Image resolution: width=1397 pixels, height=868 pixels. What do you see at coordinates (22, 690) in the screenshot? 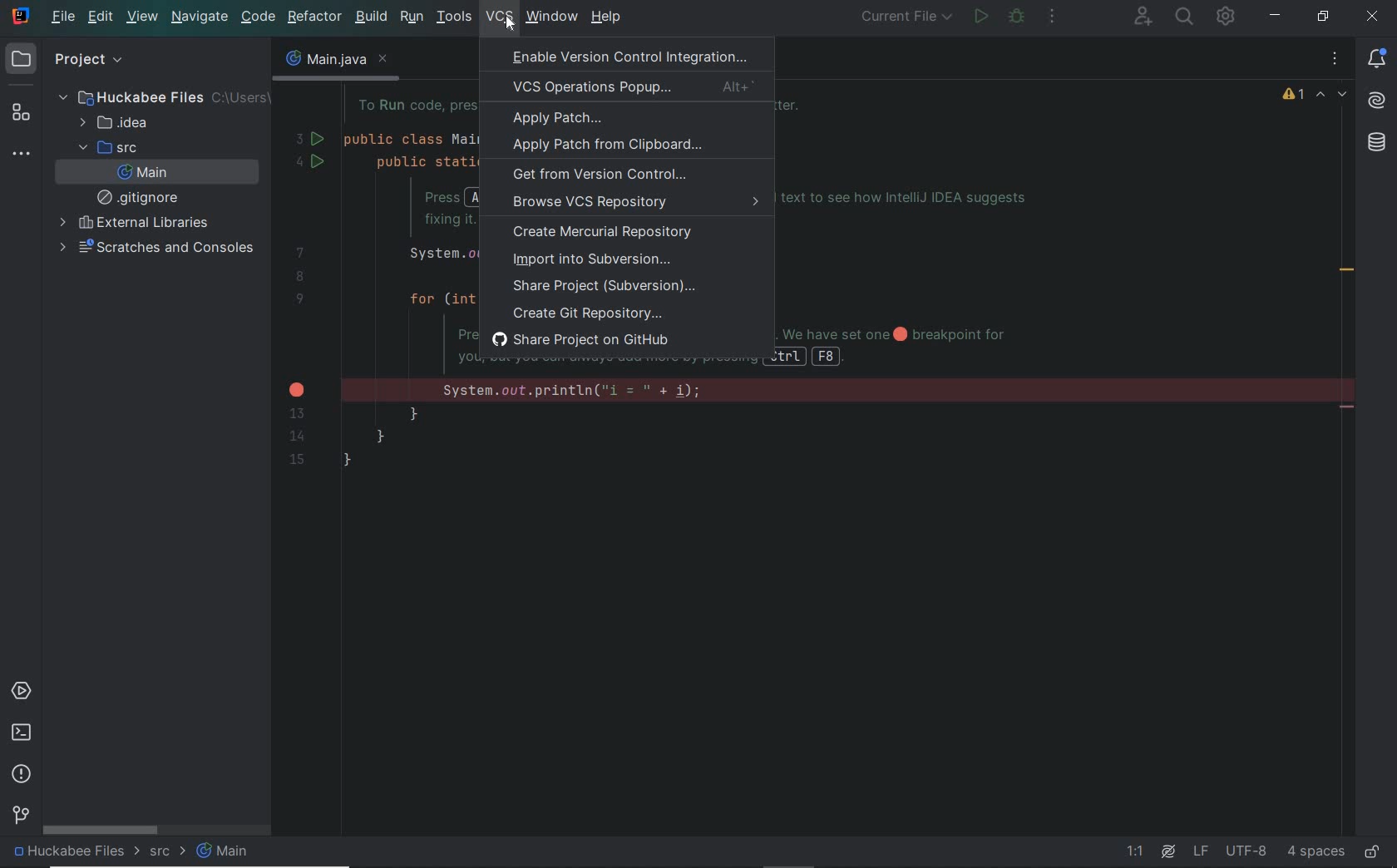
I see `services` at bounding box center [22, 690].